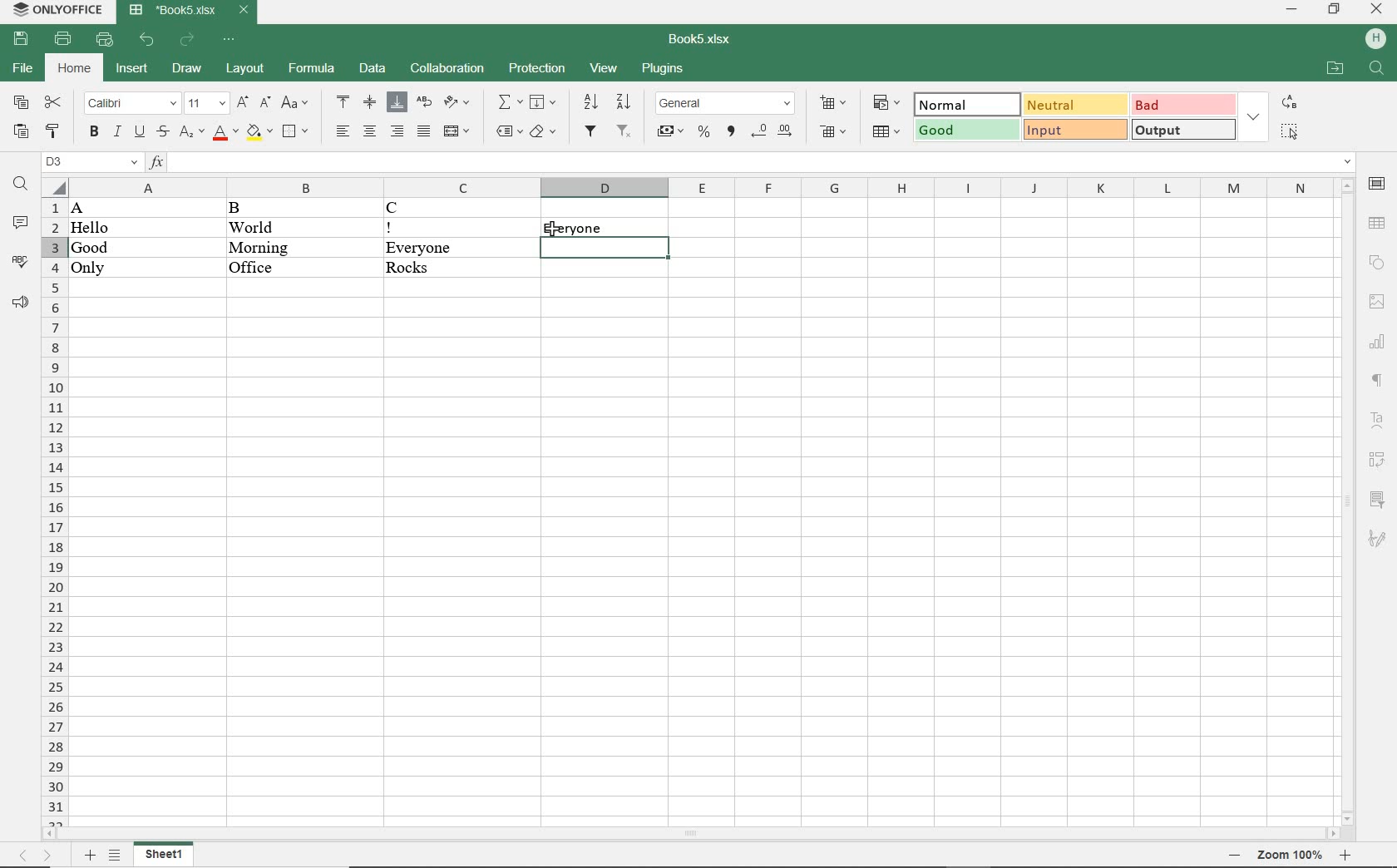 The height and width of the screenshot is (868, 1397). What do you see at coordinates (1377, 184) in the screenshot?
I see `cell settings` at bounding box center [1377, 184].